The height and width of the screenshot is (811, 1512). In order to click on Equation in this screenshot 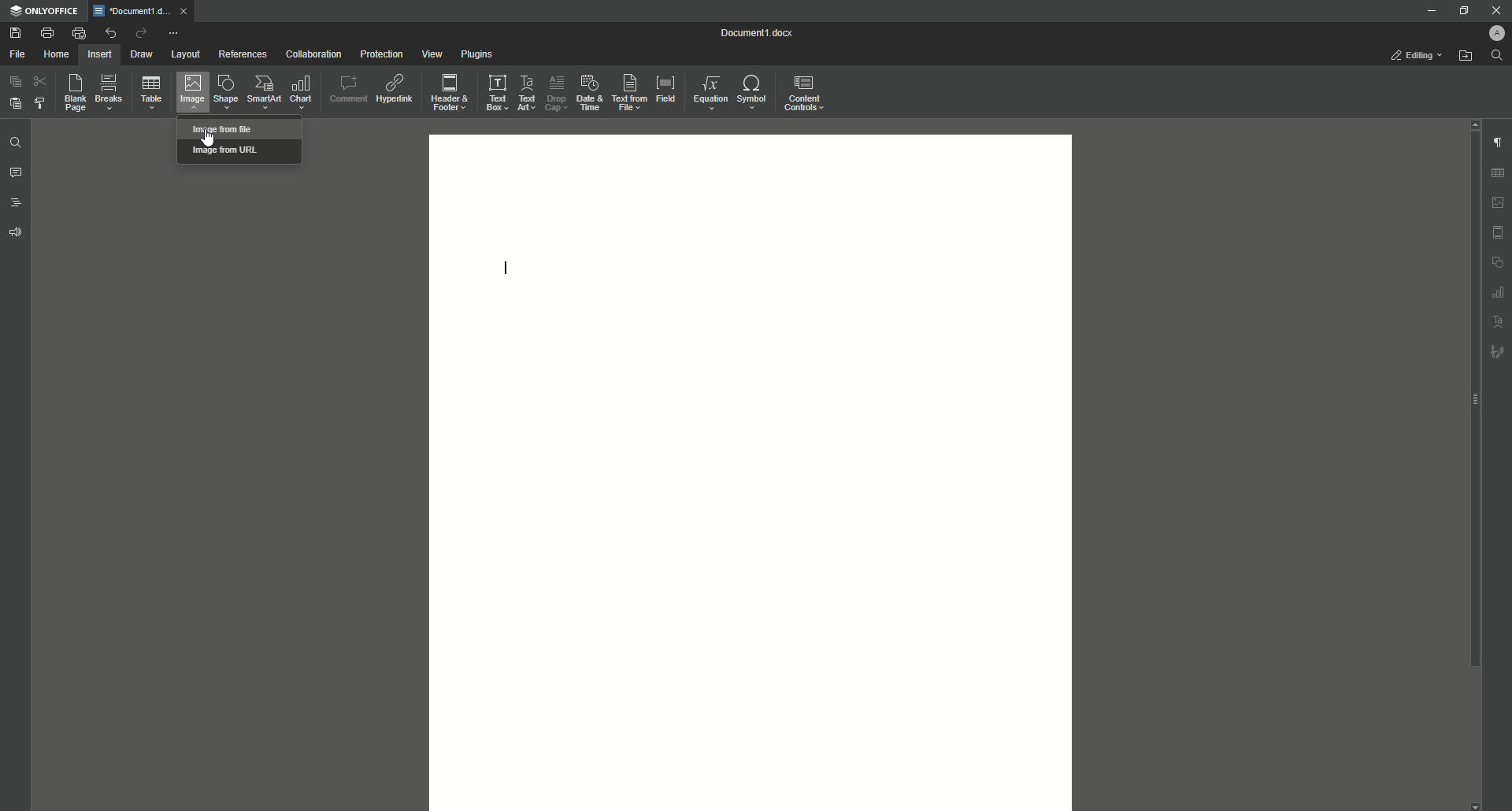, I will do `click(706, 94)`.